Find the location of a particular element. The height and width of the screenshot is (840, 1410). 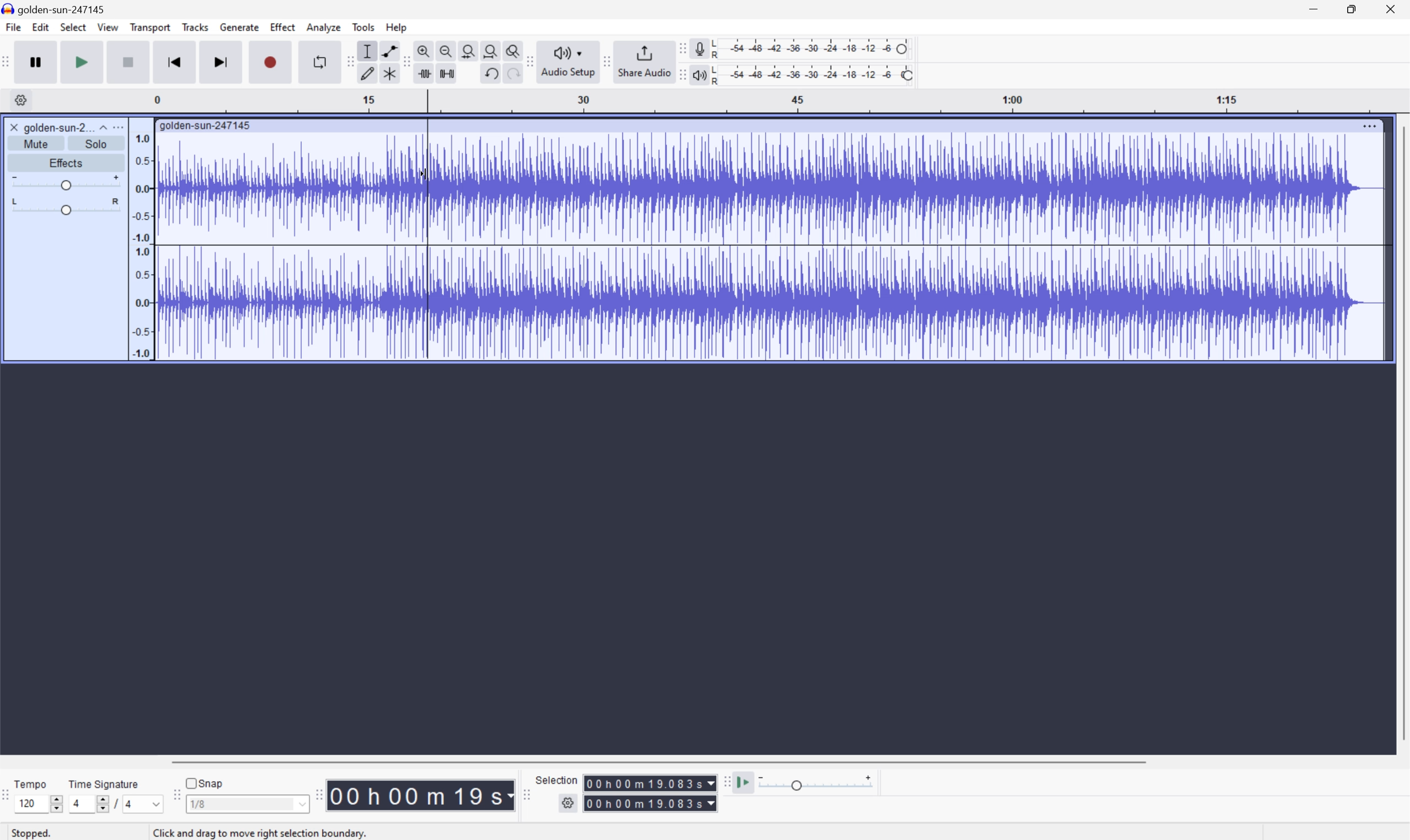

Help is located at coordinates (397, 27).